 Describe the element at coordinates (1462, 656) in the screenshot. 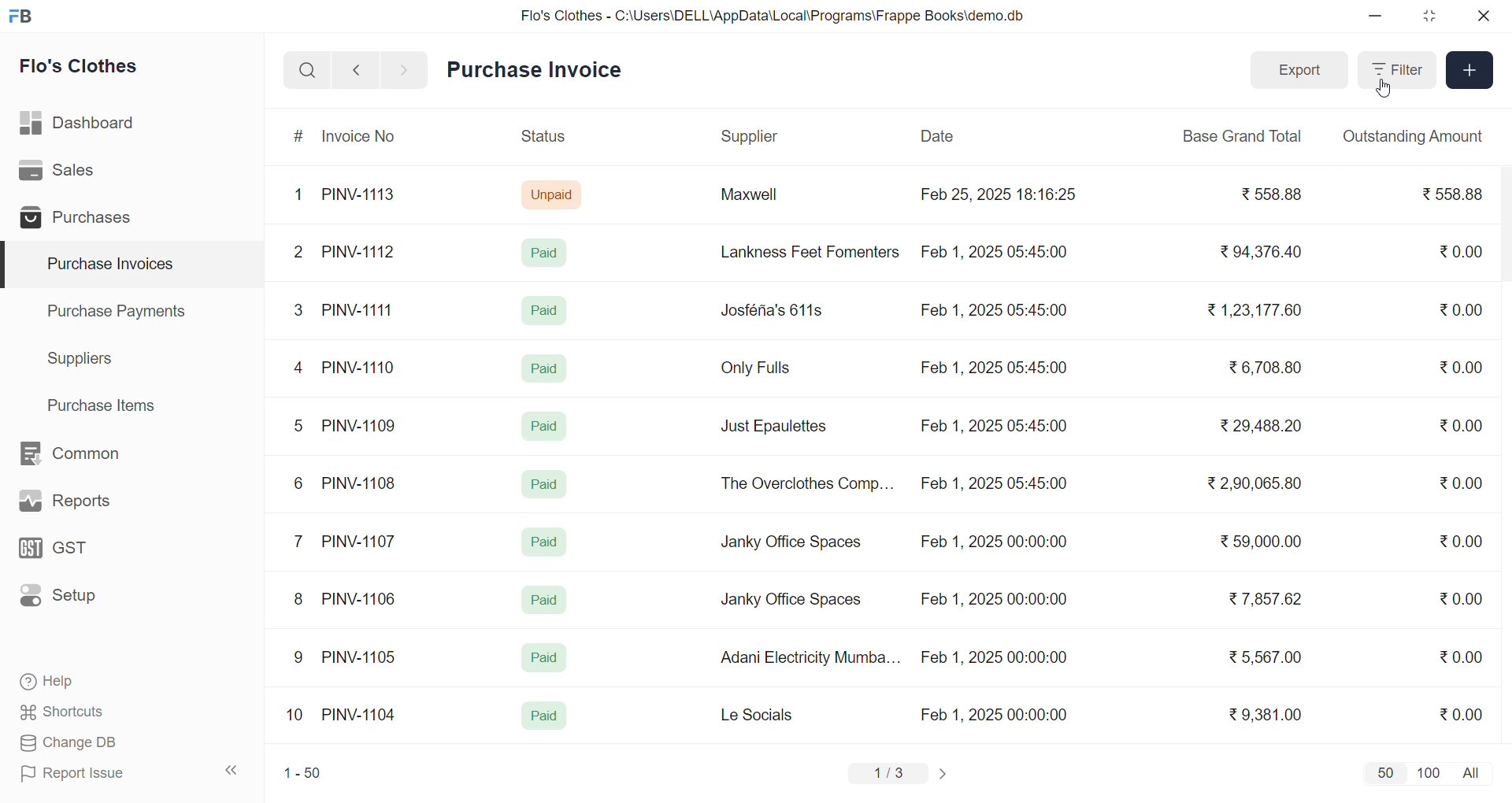

I see `₹0.00` at that location.